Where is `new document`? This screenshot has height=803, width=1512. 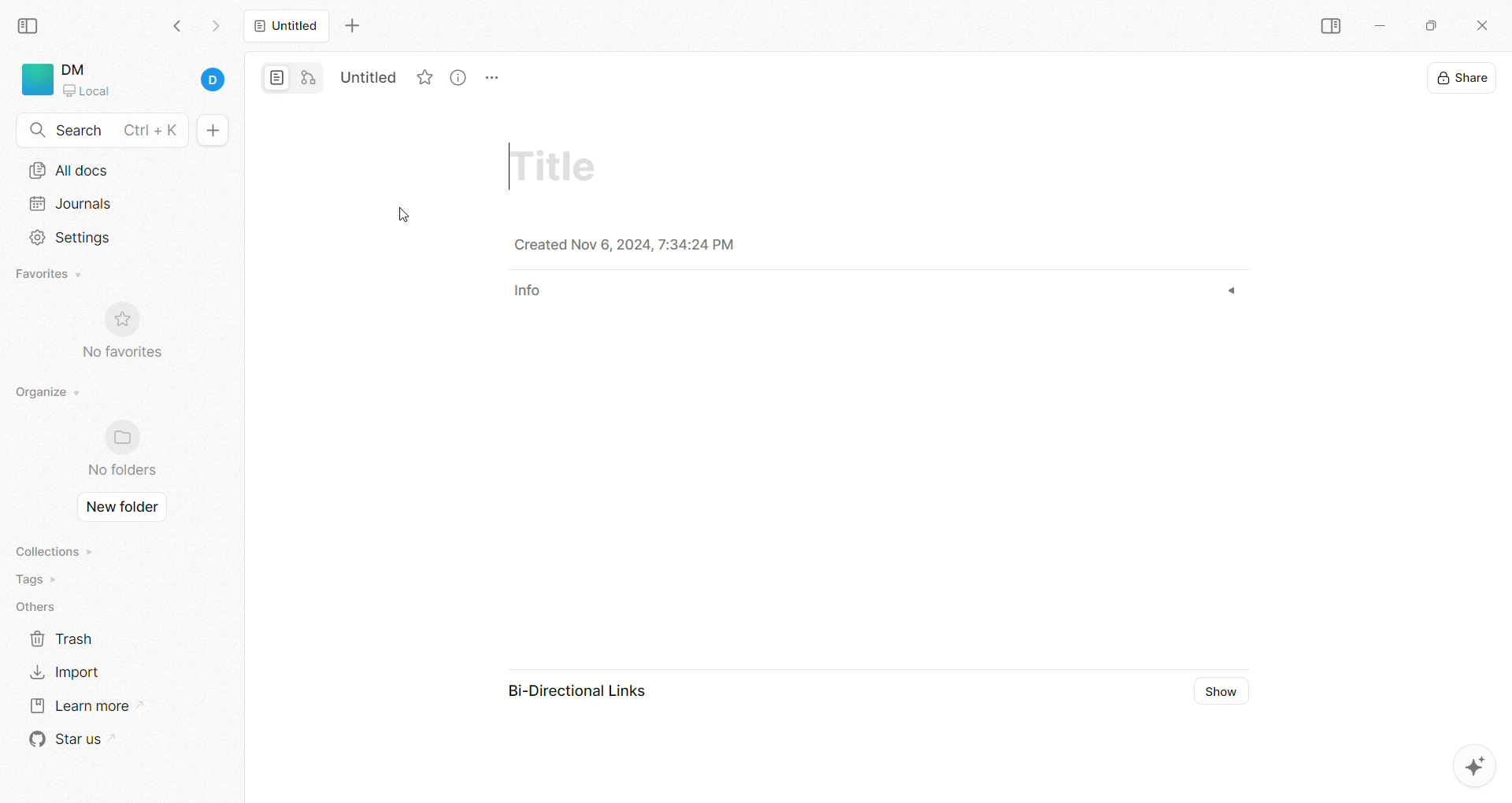
new document is located at coordinates (210, 131).